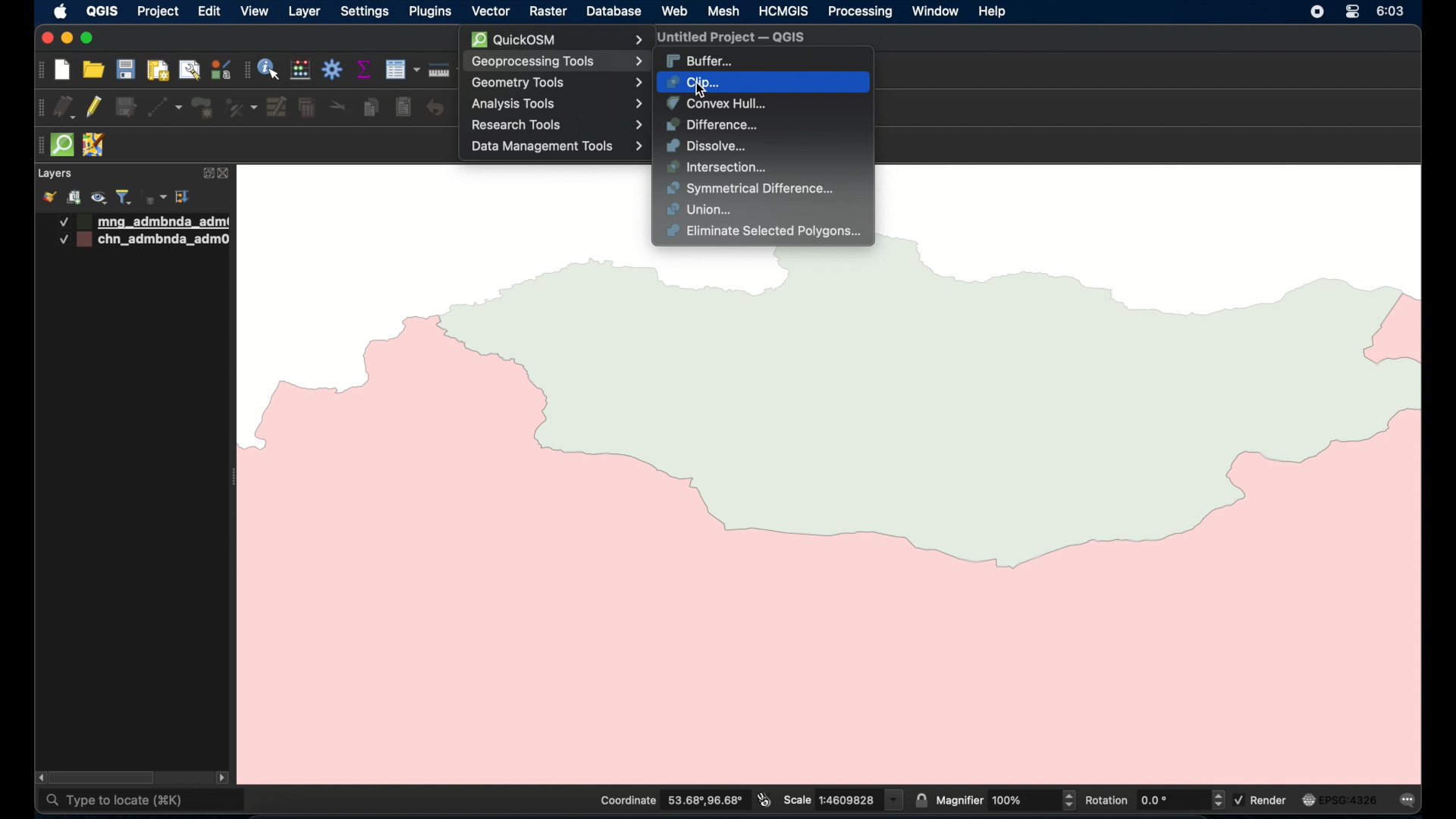 The width and height of the screenshot is (1456, 819). I want to click on geometry tools, so click(559, 83).